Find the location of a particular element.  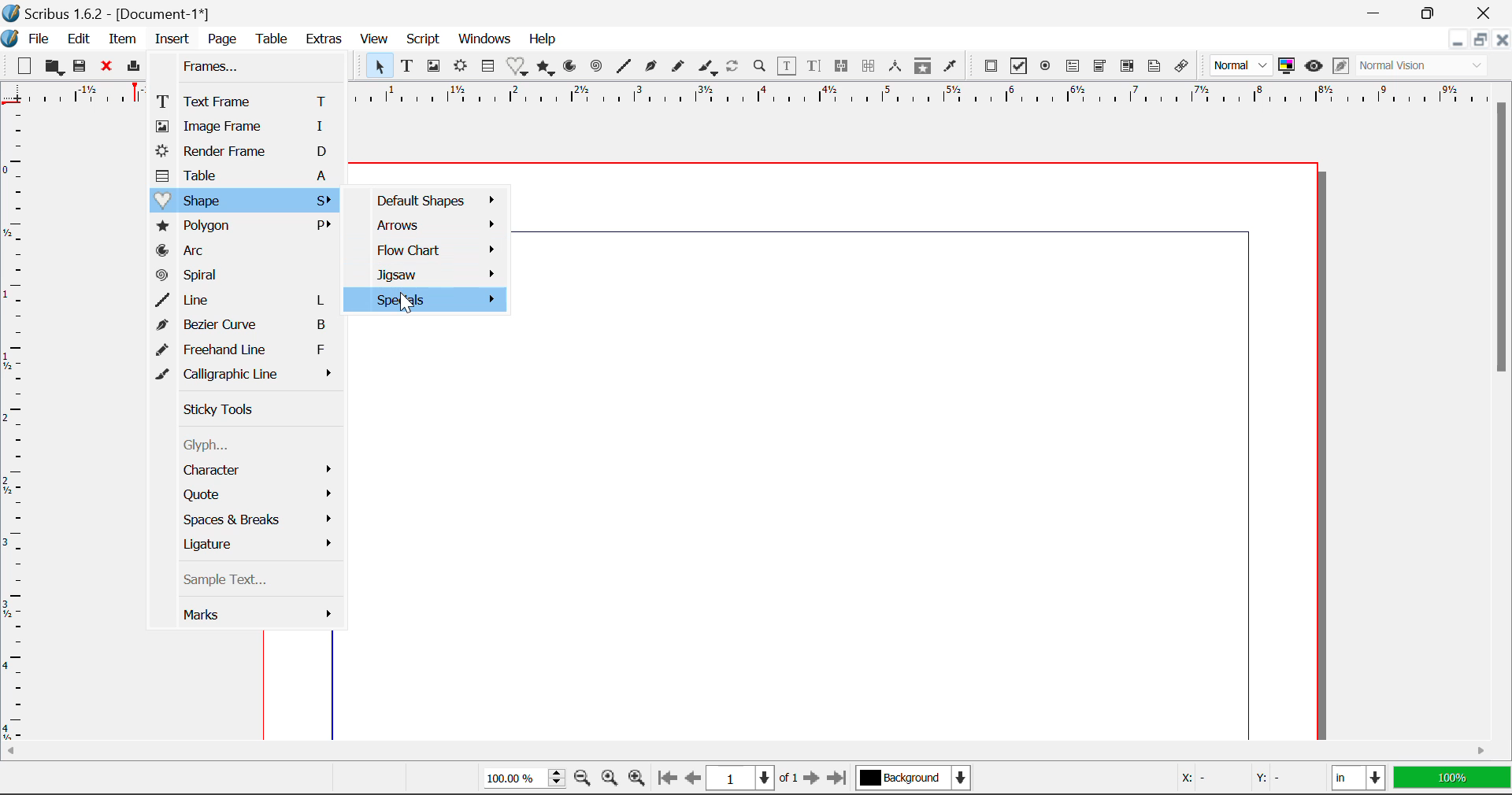

Render Frame is located at coordinates (461, 67).